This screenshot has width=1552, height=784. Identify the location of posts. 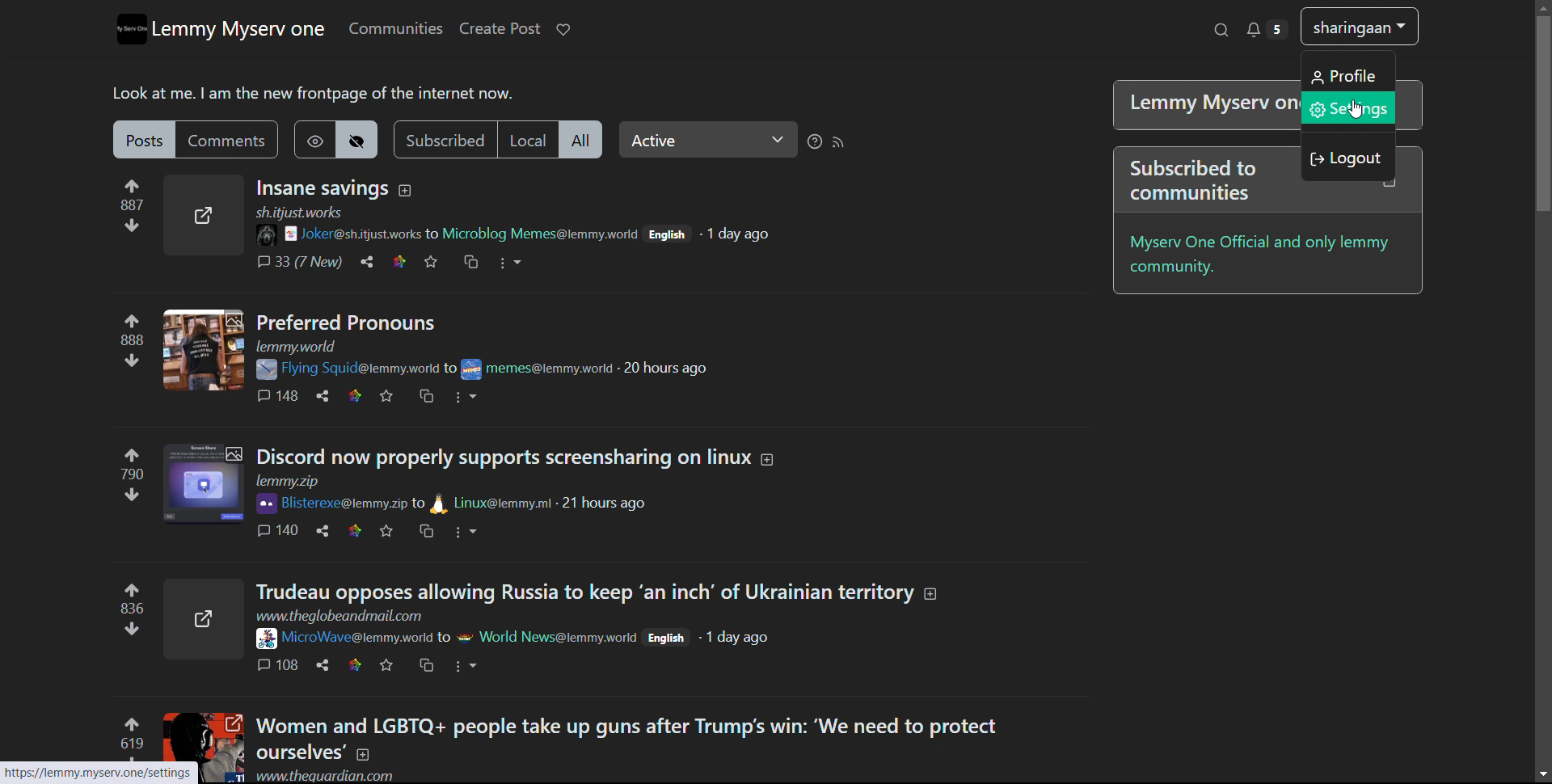
(141, 139).